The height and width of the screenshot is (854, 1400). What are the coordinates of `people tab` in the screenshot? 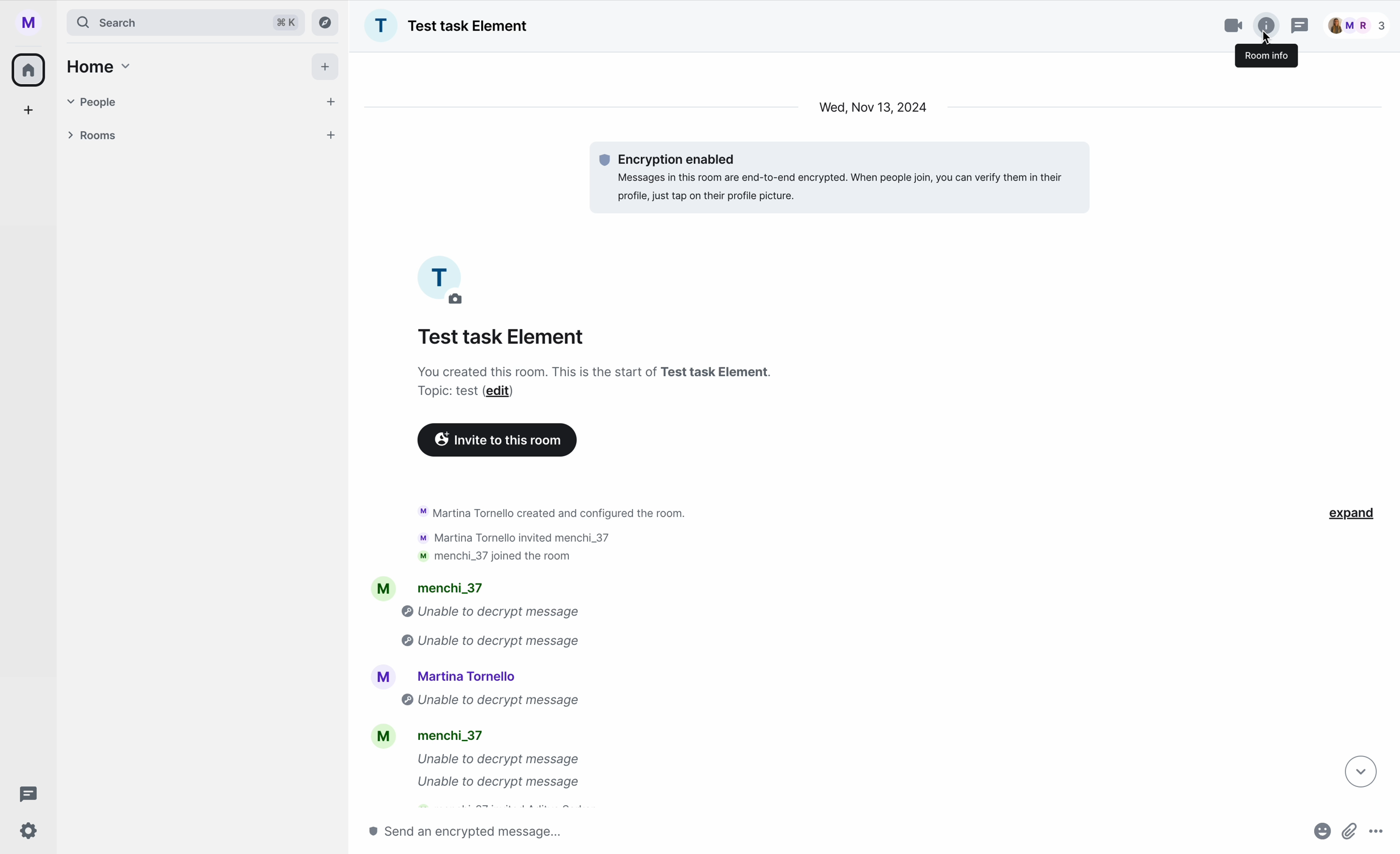 It's located at (206, 102).